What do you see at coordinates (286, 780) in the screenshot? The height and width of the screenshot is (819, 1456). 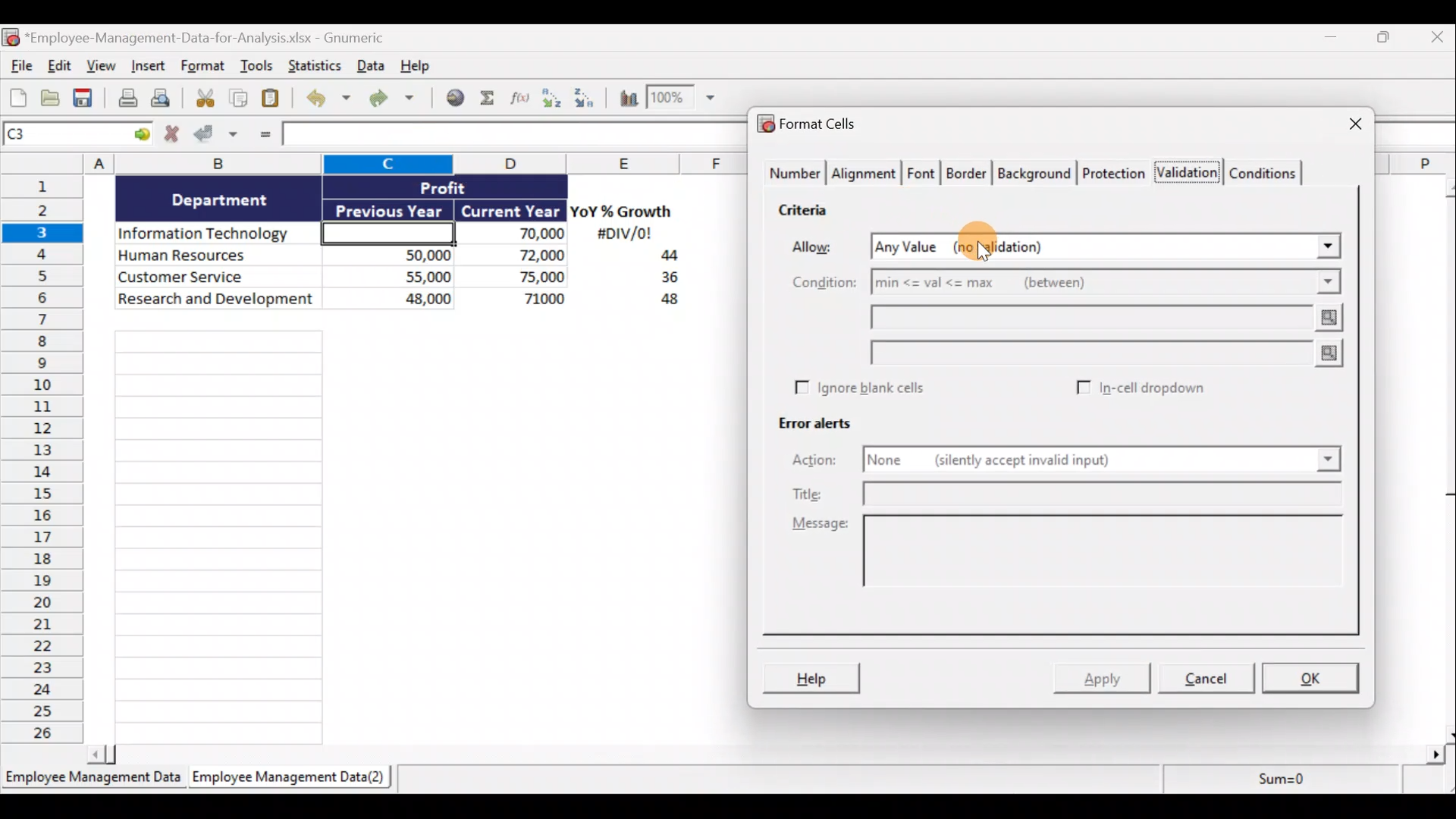 I see `Employee Management Data(2)` at bounding box center [286, 780].